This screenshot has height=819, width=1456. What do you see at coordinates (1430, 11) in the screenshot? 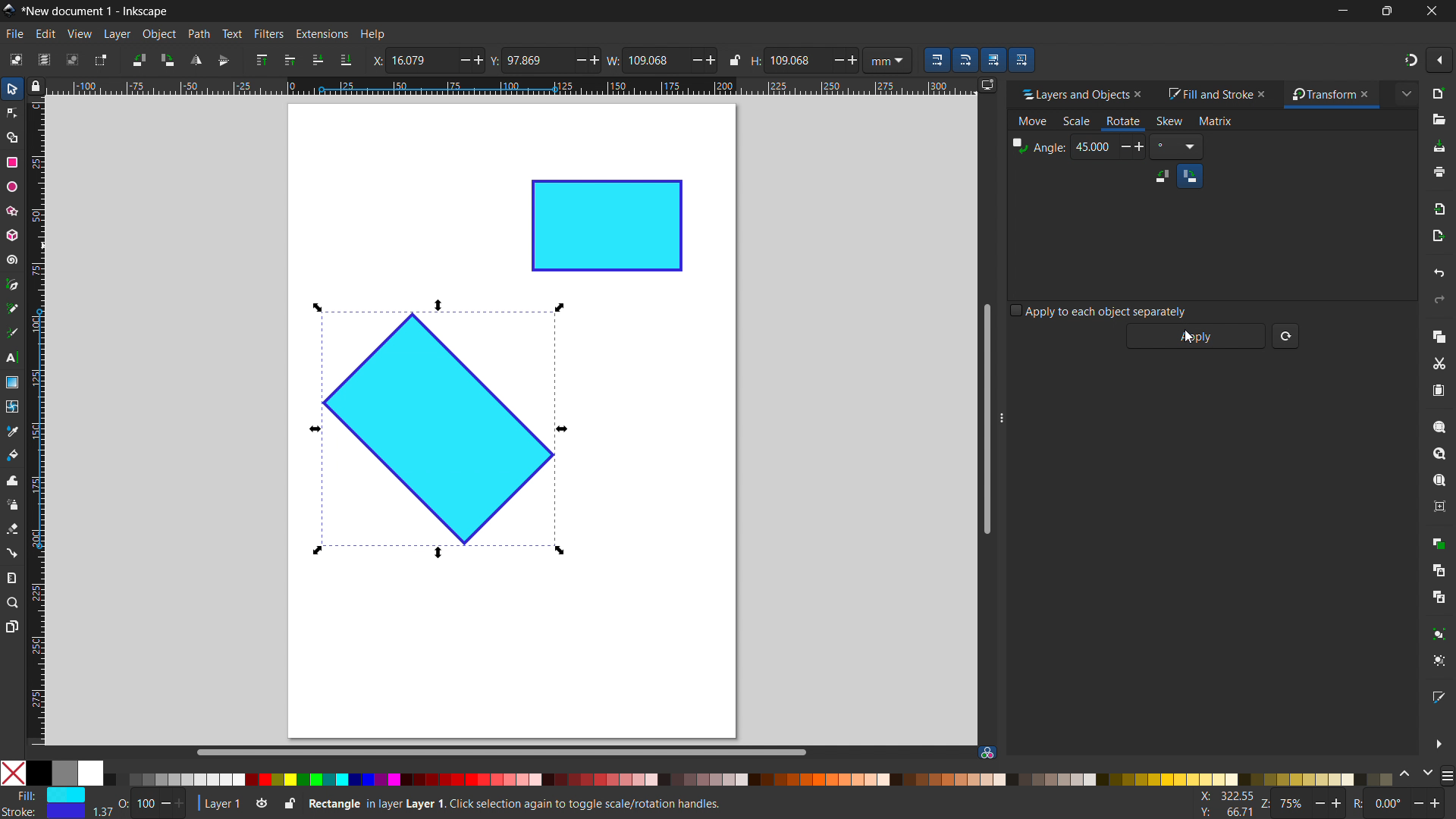
I see `close` at bounding box center [1430, 11].